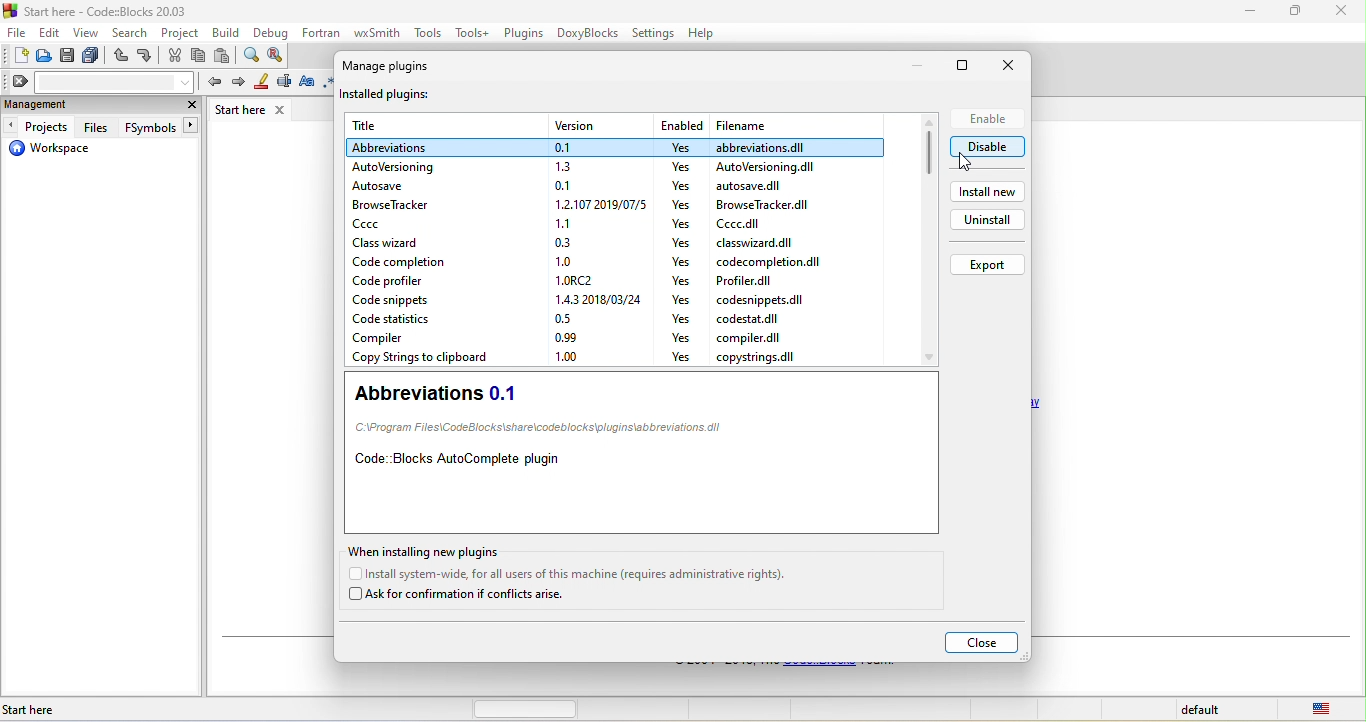 This screenshot has width=1366, height=722. What do you see at coordinates (987, 223) in the screenshot?
I see `uninstall` at bounding box center [987, 223].